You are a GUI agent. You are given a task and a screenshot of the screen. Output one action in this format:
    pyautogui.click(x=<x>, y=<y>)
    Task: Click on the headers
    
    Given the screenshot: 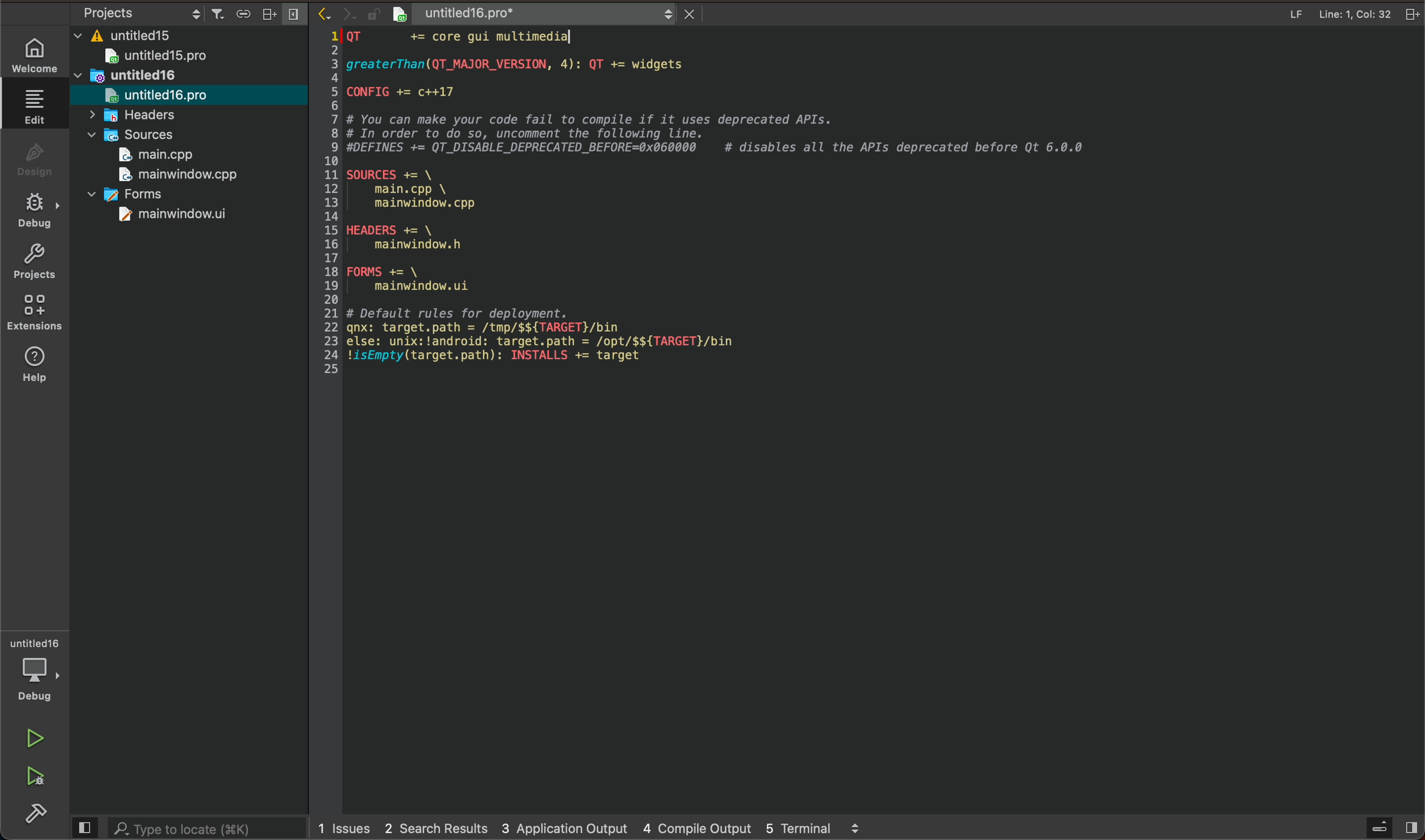 What is the action you would take?
    pyautogui.click(x=144, y=116)
    